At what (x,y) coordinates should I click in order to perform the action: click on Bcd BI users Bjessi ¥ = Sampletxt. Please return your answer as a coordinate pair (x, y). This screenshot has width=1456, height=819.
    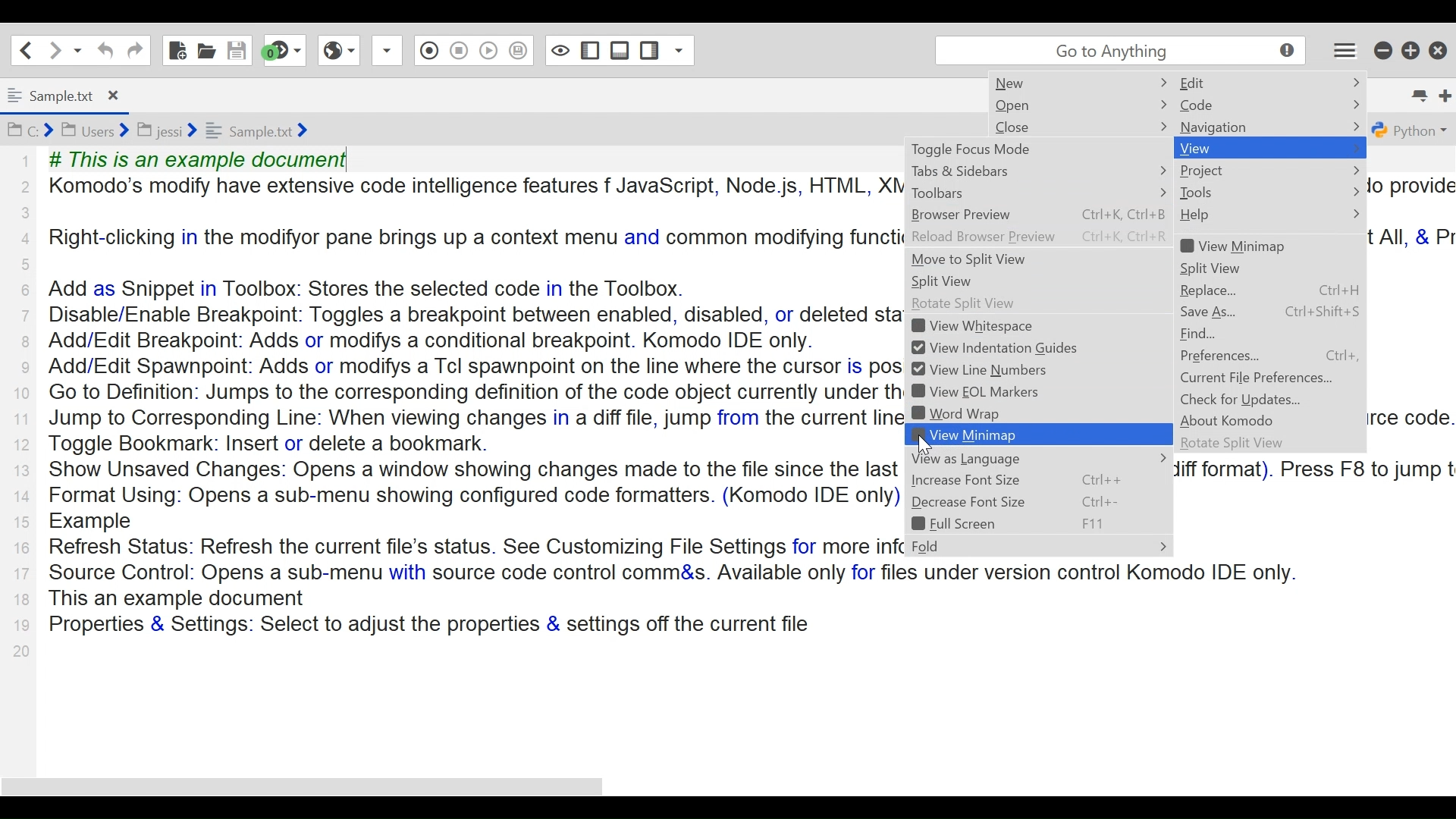
    Looking at the image, I should click on (184, 131).